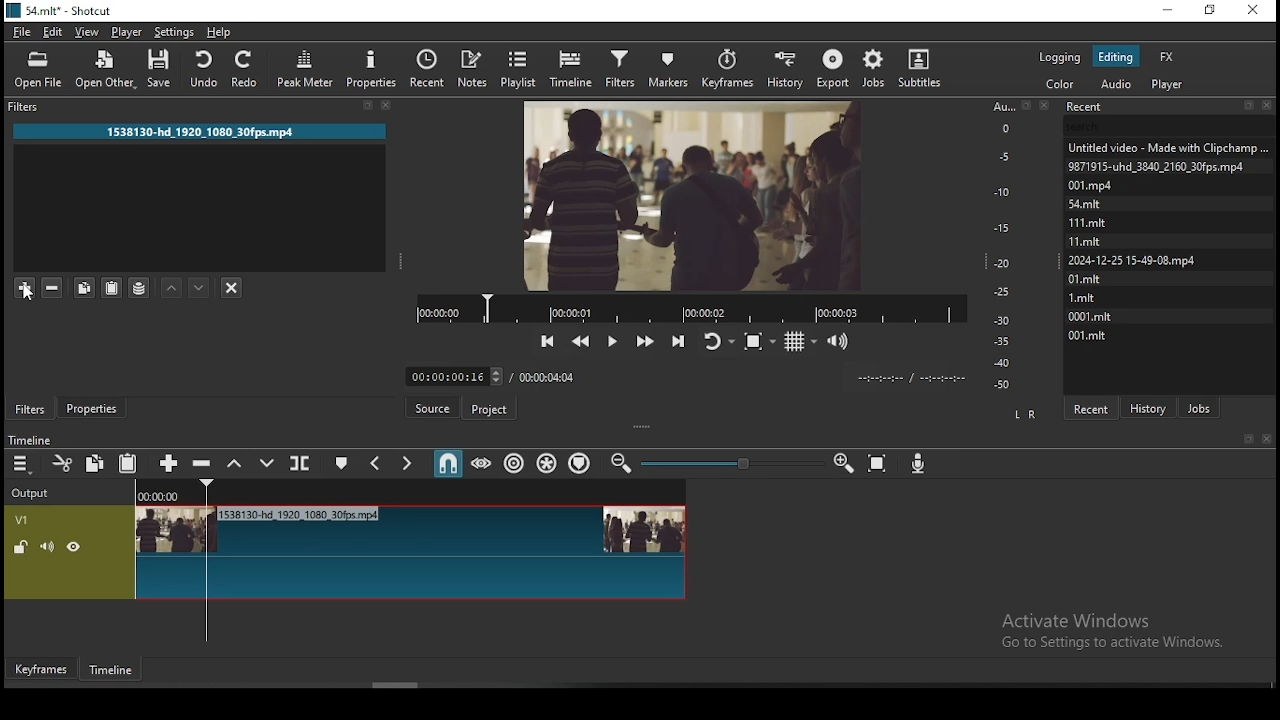  Describe the element at coordinates (54, 33) in the screenshot. I see `edit` at that location.